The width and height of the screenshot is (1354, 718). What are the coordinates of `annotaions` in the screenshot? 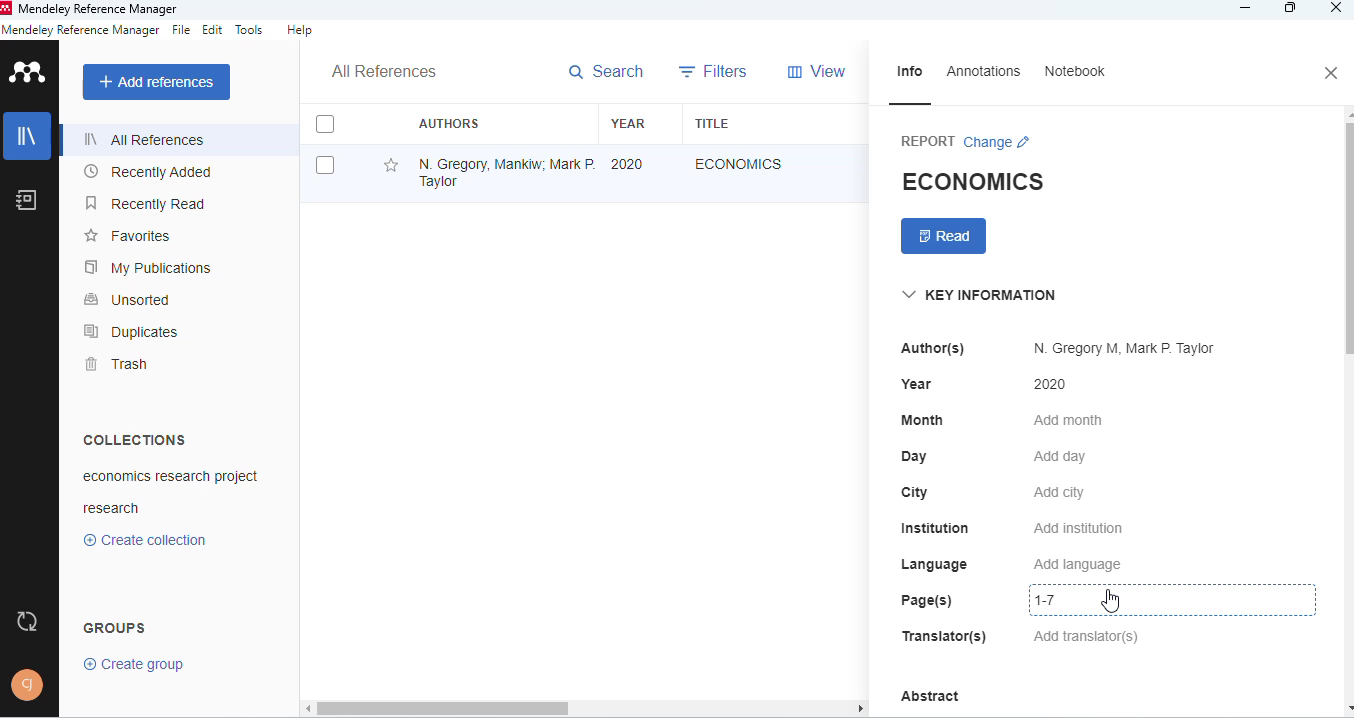 It's located at (985, 71).